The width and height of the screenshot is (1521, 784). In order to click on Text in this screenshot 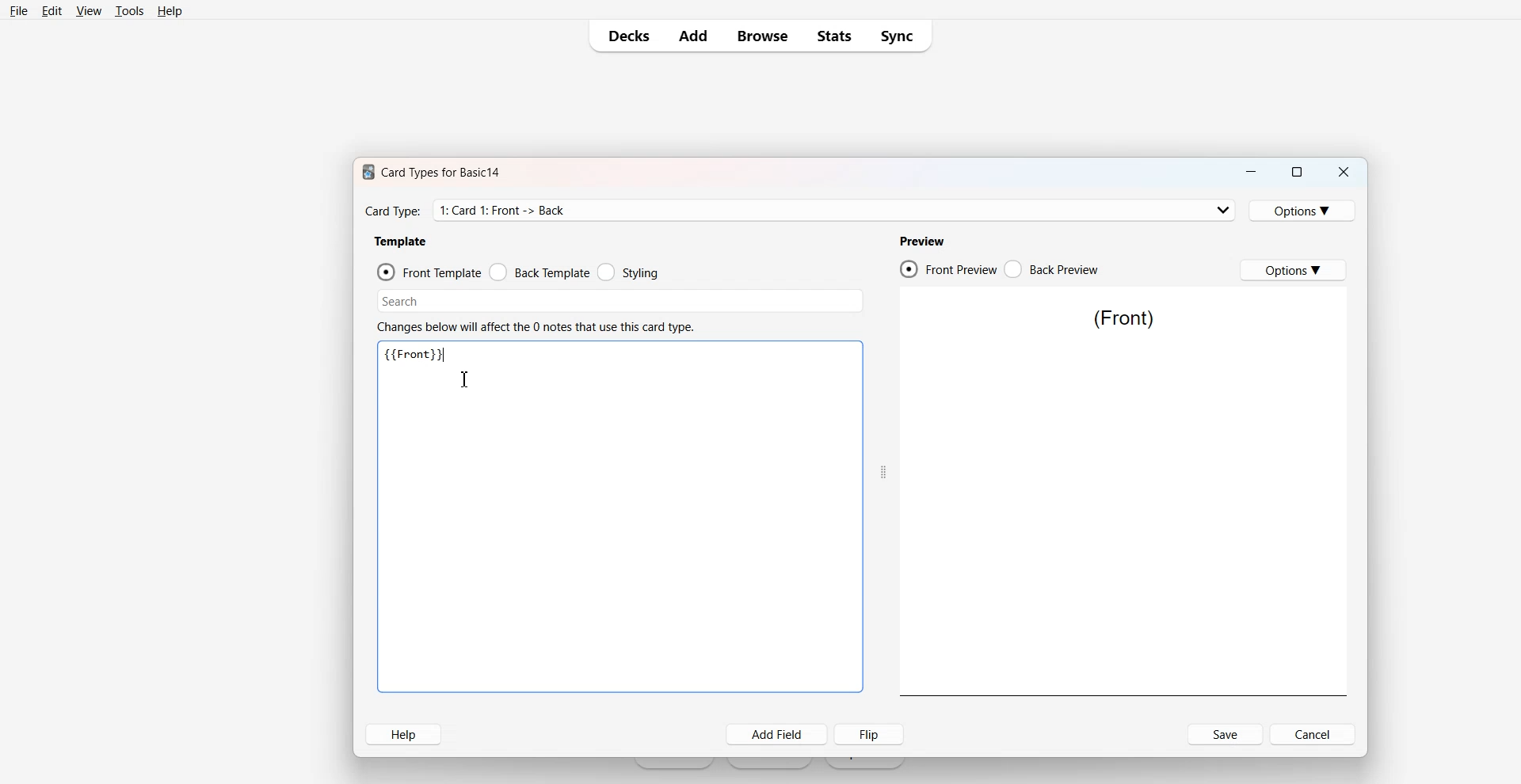, I will do `click(393, 211)`.